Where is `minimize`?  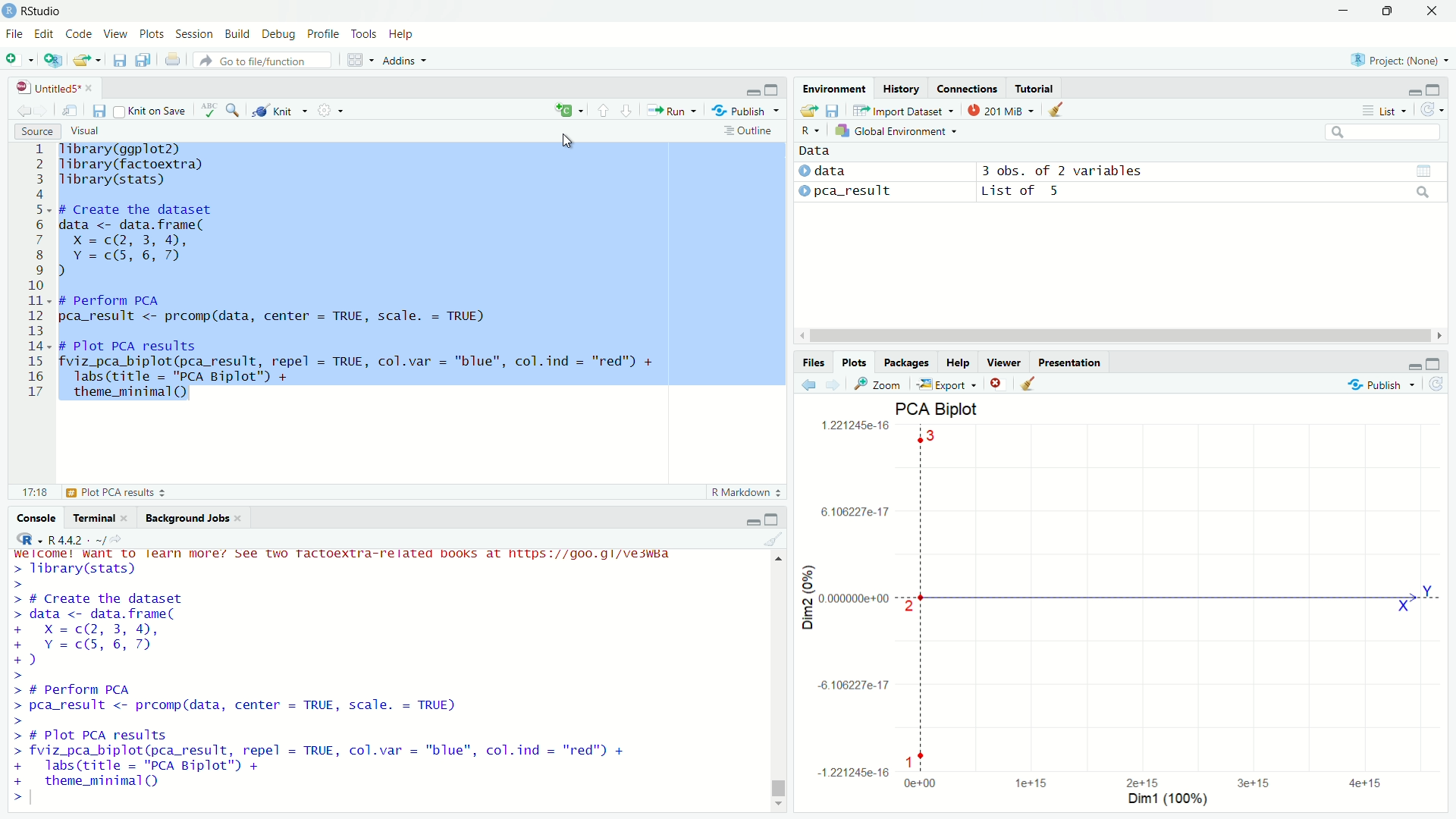
minimize is located at coordinates (1344, 11).